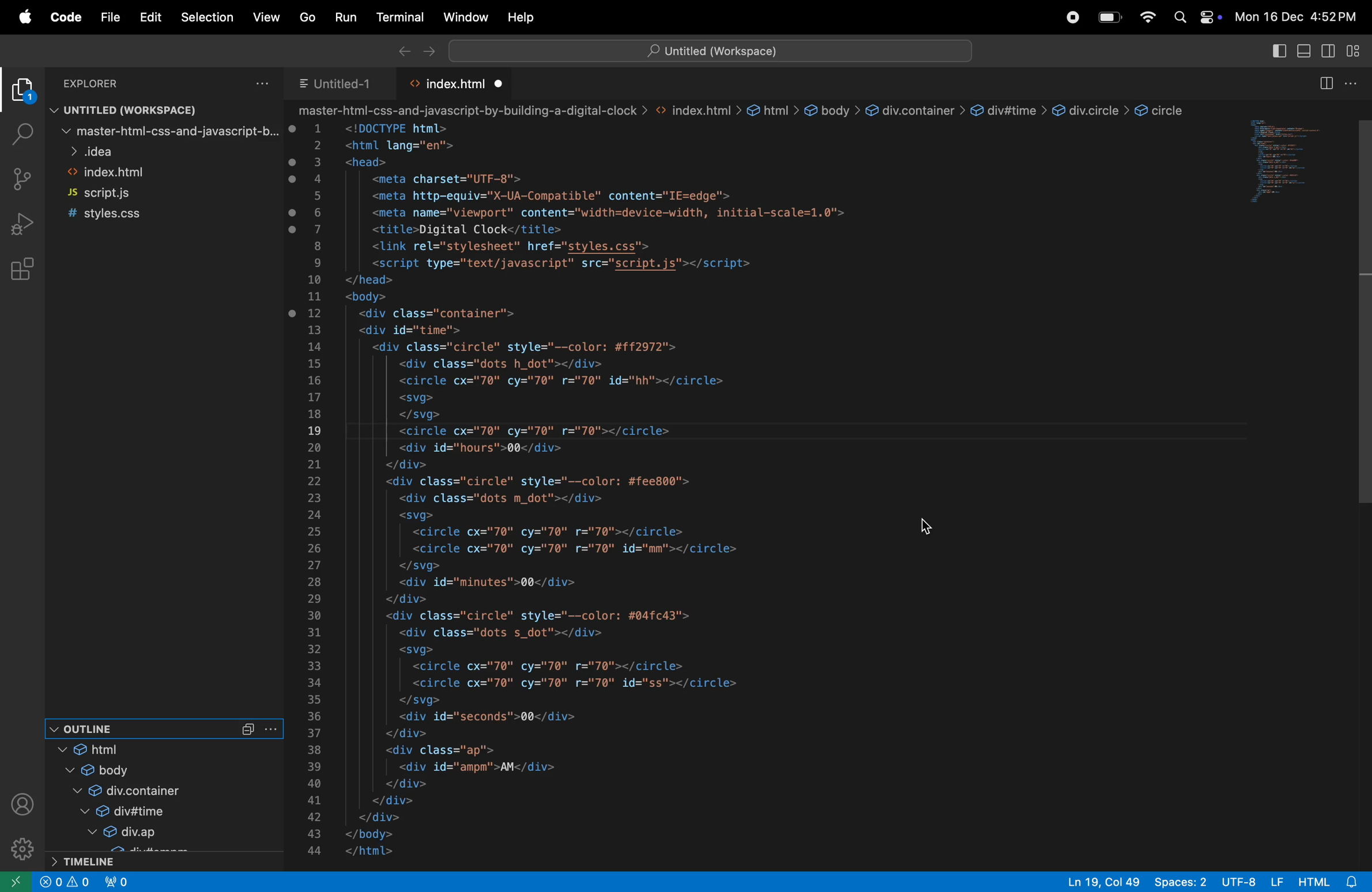 The width and height of the screenshot is (1372, 892). What do you see at coordinates (116, 833) in the screenshot?
I see `div.app` at bounding box center [116, 833].